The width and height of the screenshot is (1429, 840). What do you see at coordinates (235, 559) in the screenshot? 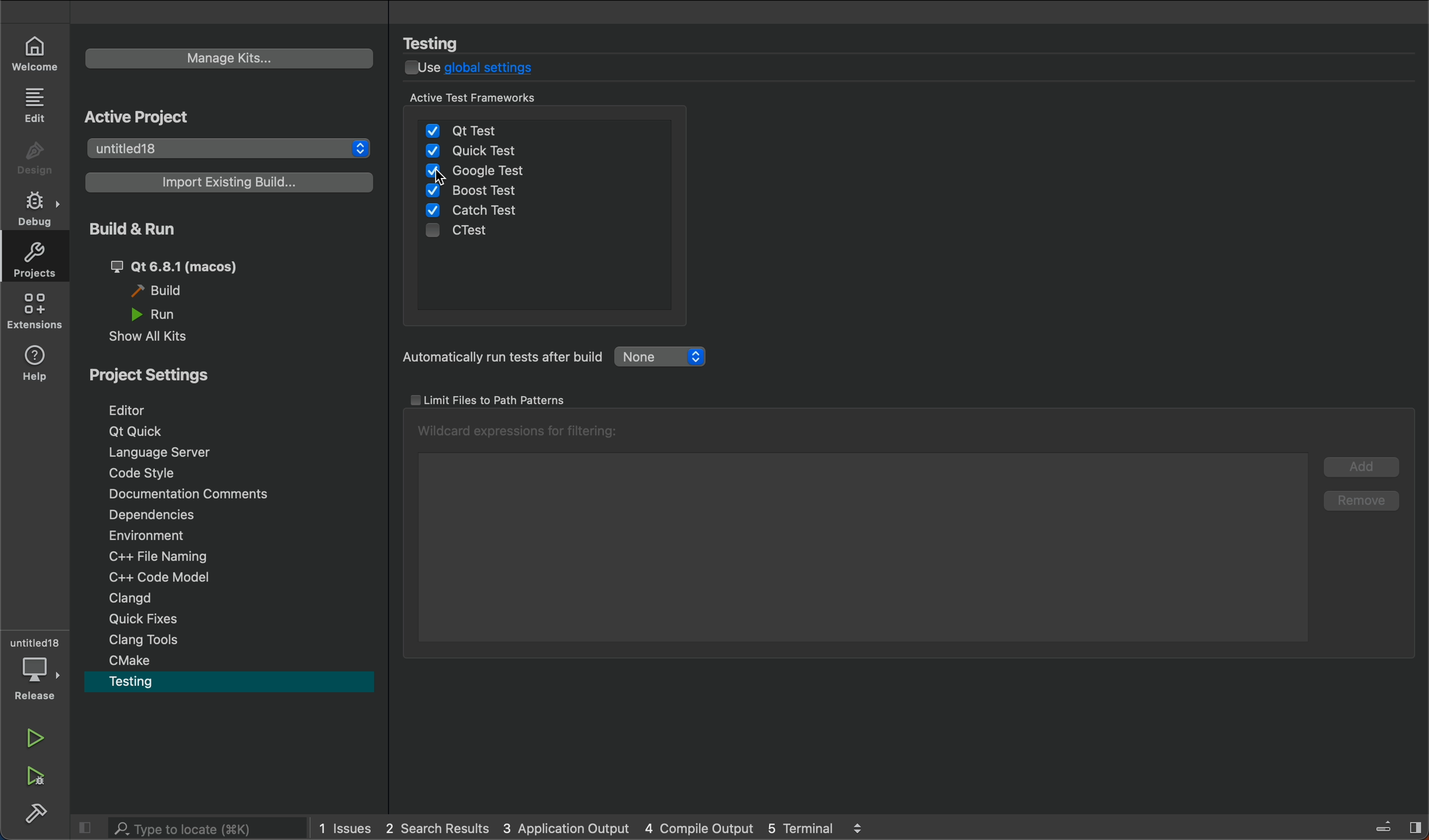
I see `file naming` at bounding box center [235, 559].